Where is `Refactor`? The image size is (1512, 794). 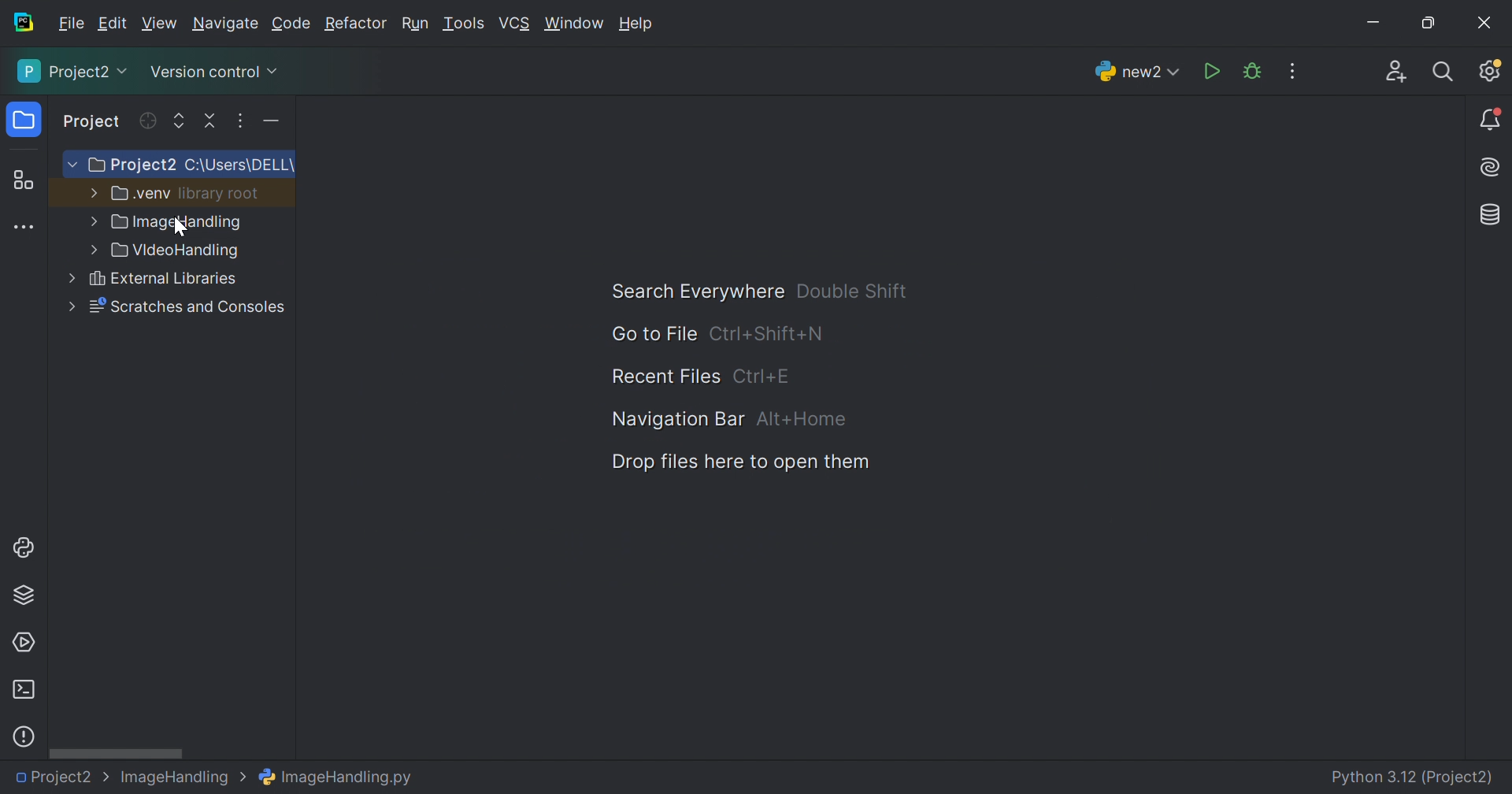
Refactor is located at coordinates (354, 25).